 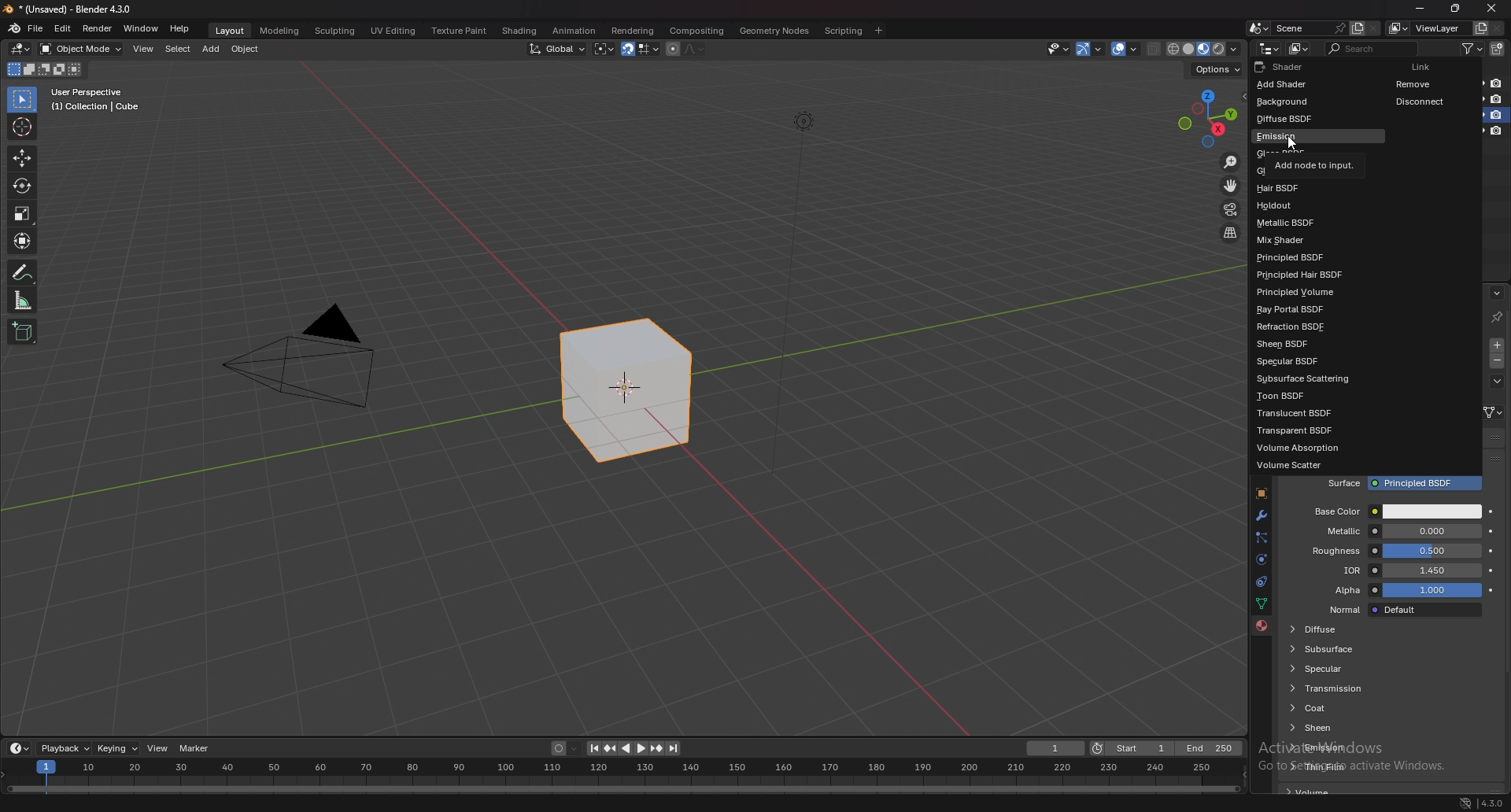 What do you see at coordinates (1479, 98) in the screenshot?
I see `hide in viewport` at bounding box center [1479, 98].